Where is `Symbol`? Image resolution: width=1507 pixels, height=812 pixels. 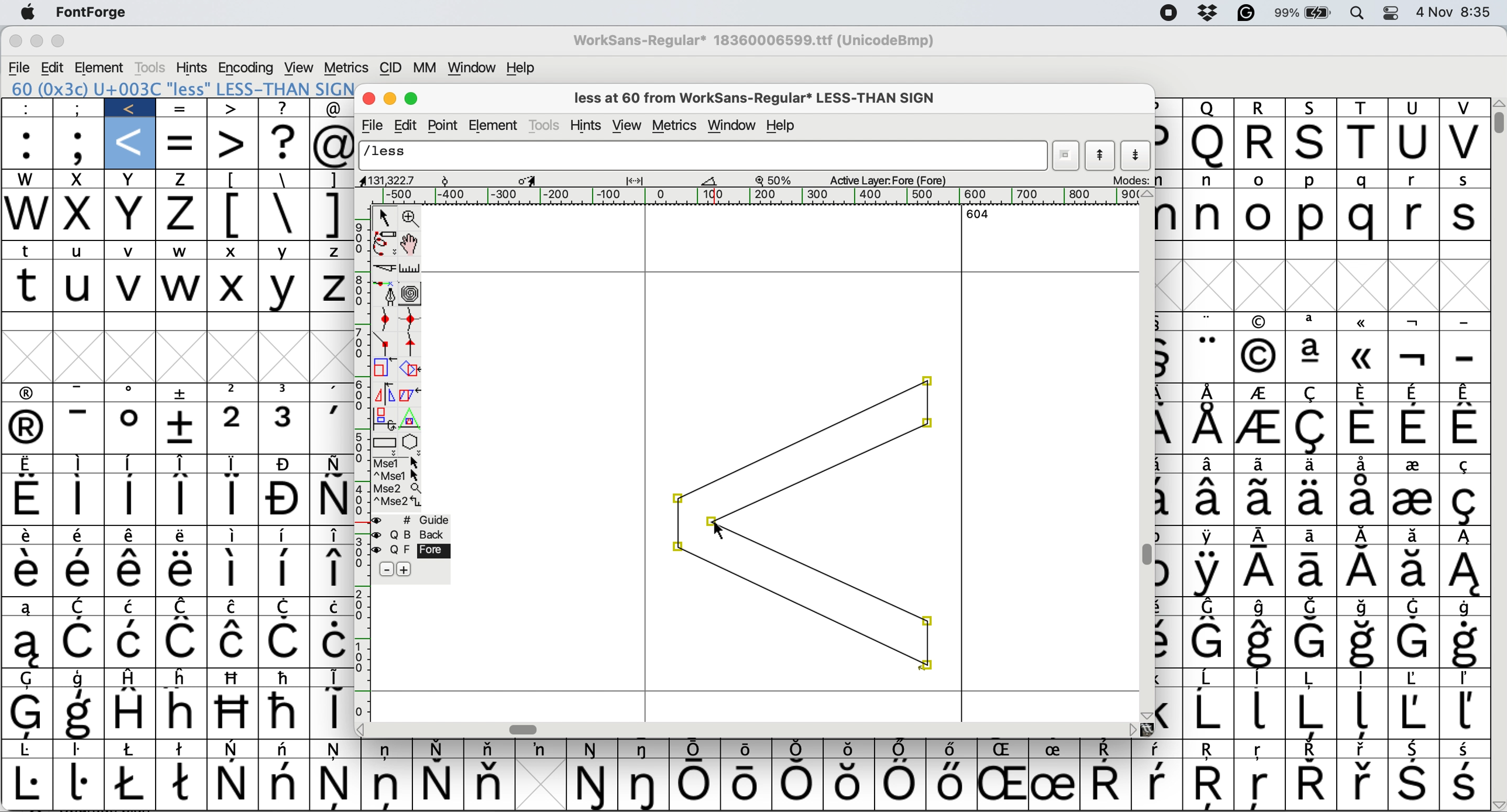
Symbol is located at coordinates (1412, 572).